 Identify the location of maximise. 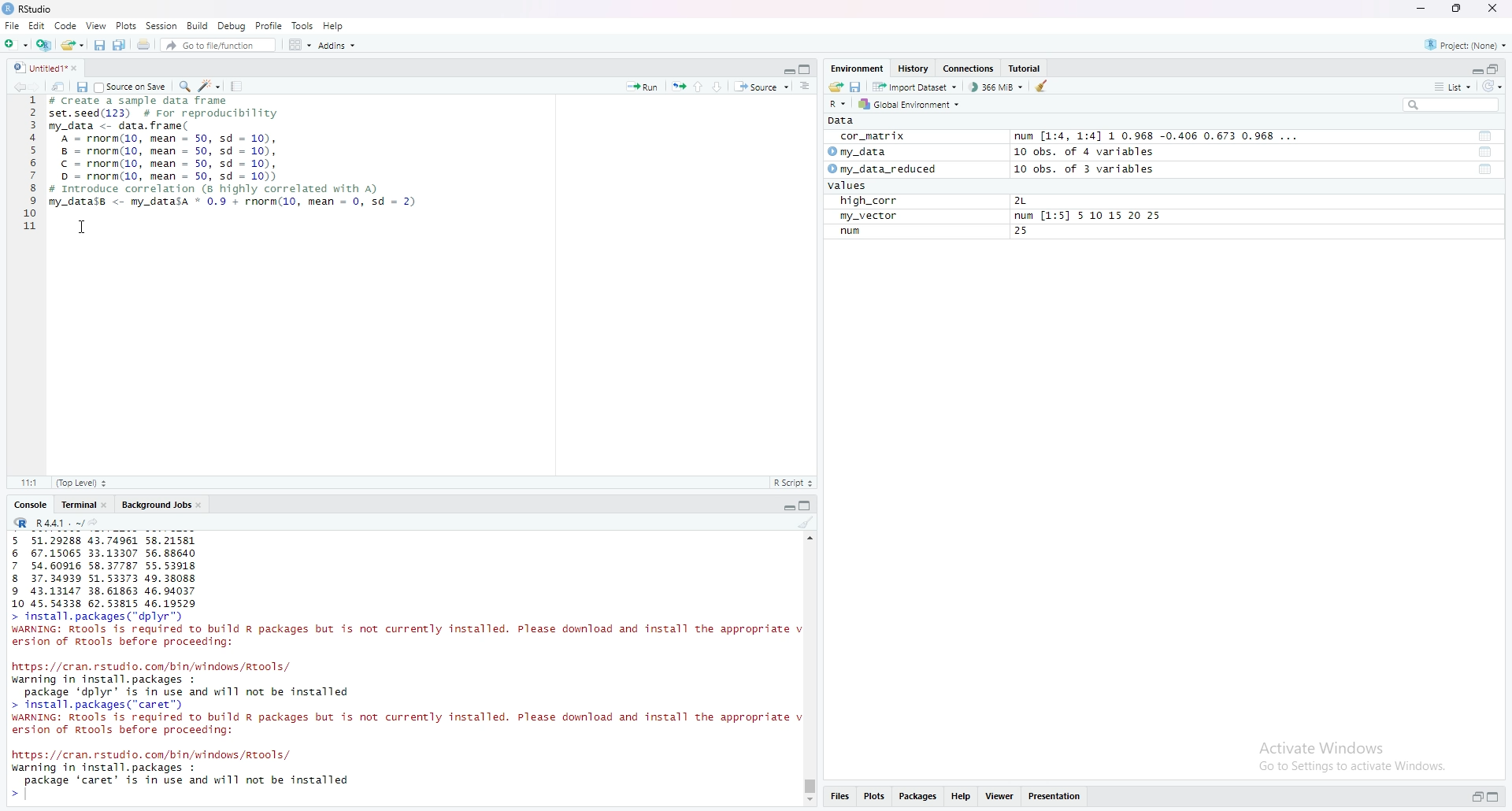
(1458, 8).